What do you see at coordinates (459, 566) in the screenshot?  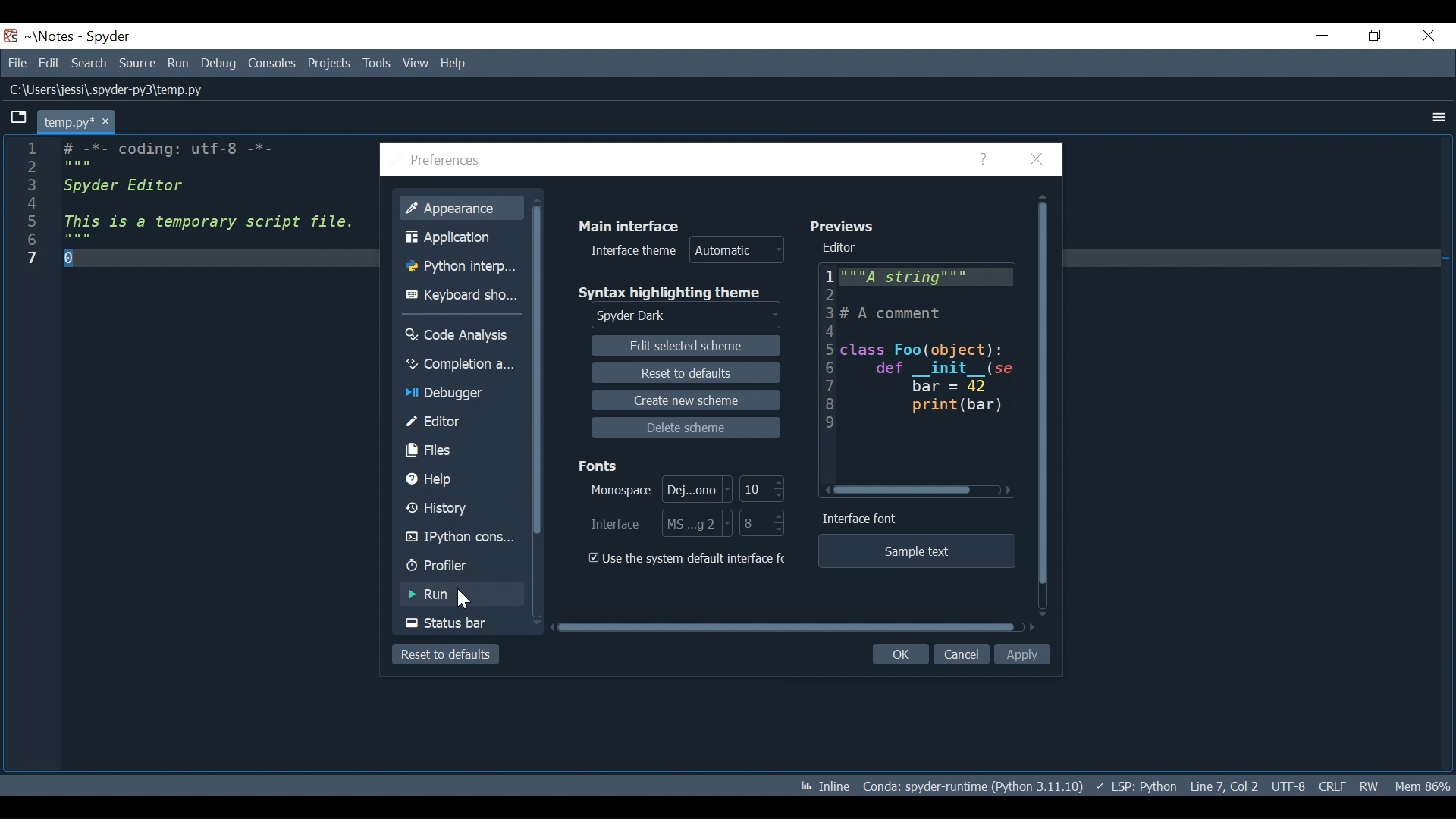 I see `Profiler ` at bounding box center [459, 566].